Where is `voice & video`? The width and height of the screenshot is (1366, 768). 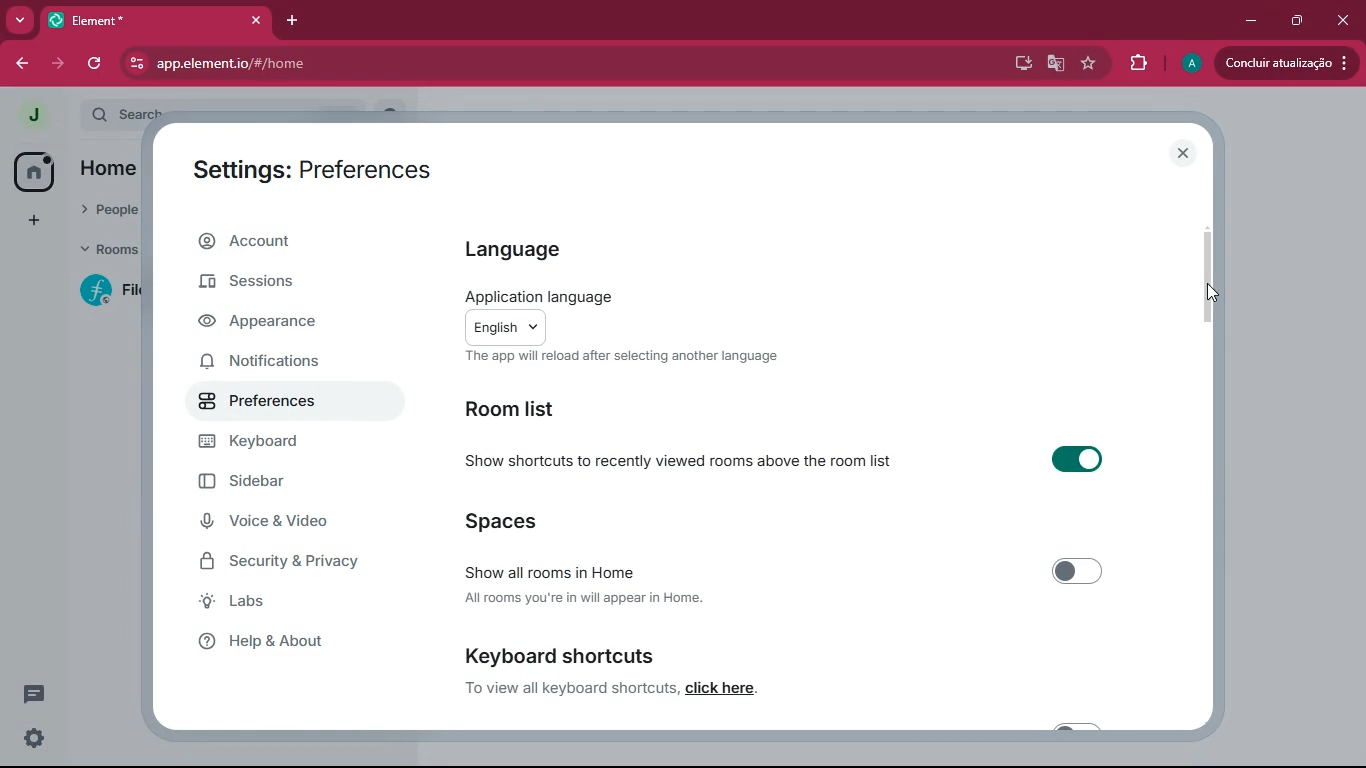
voice & video is located at coordinates (286, 523).